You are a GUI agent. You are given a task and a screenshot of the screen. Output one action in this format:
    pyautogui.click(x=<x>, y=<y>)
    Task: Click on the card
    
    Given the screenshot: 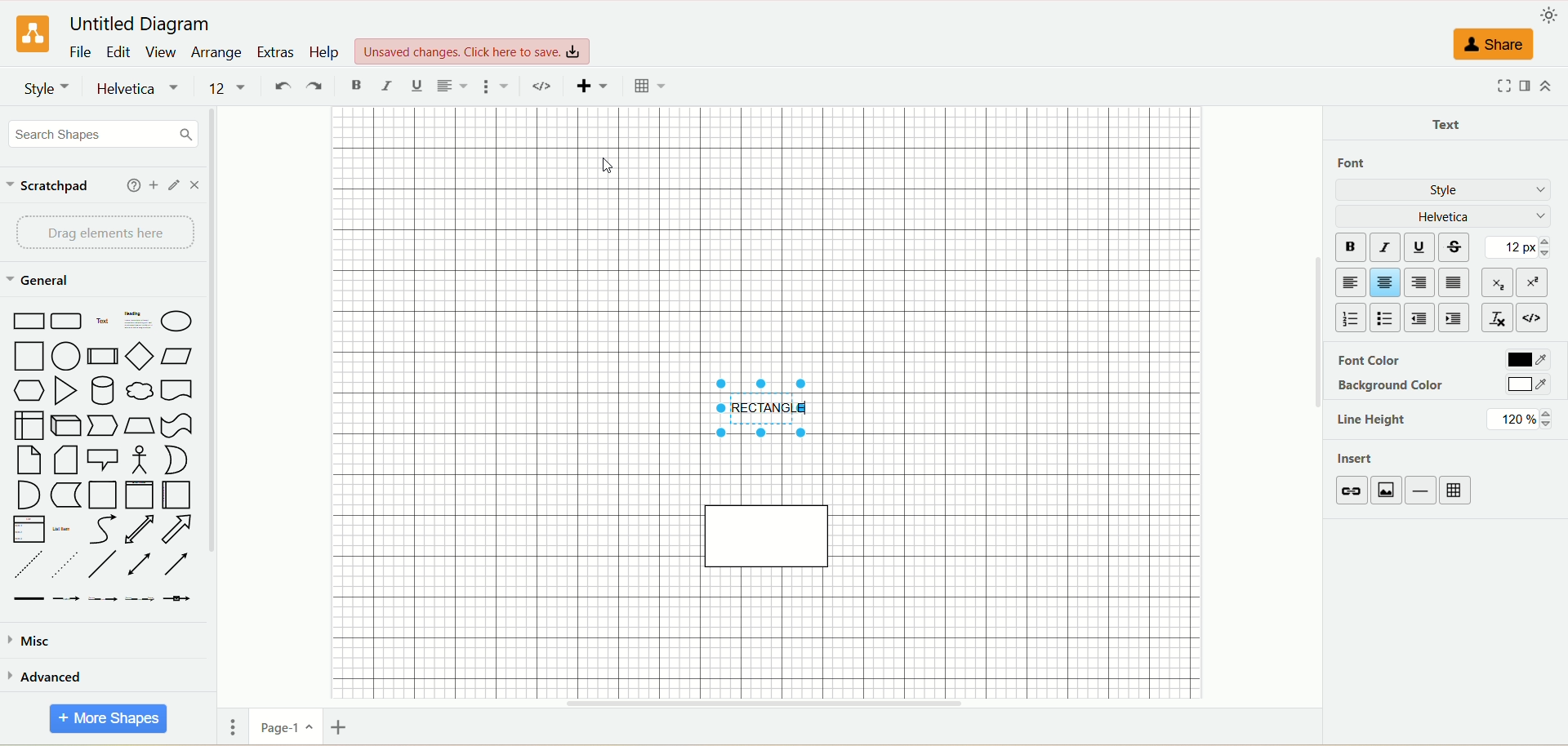 What is the action you would take?
    pyautogui.click(x=68, y=460)
    